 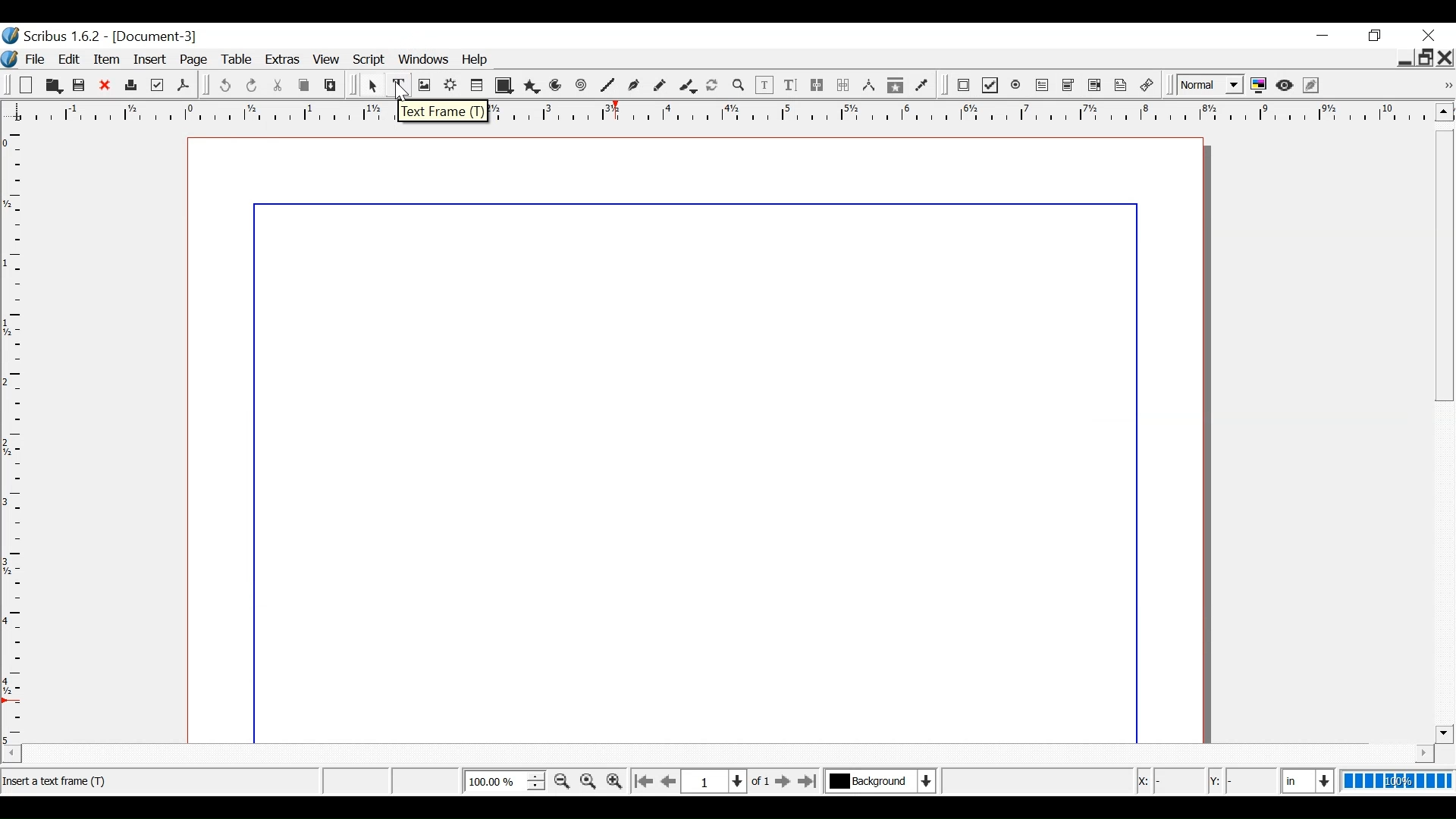 What do you see at coordinates (1147, 86) in the screenshot?
I see `link Annotation` at bounding box center [1147, 86].